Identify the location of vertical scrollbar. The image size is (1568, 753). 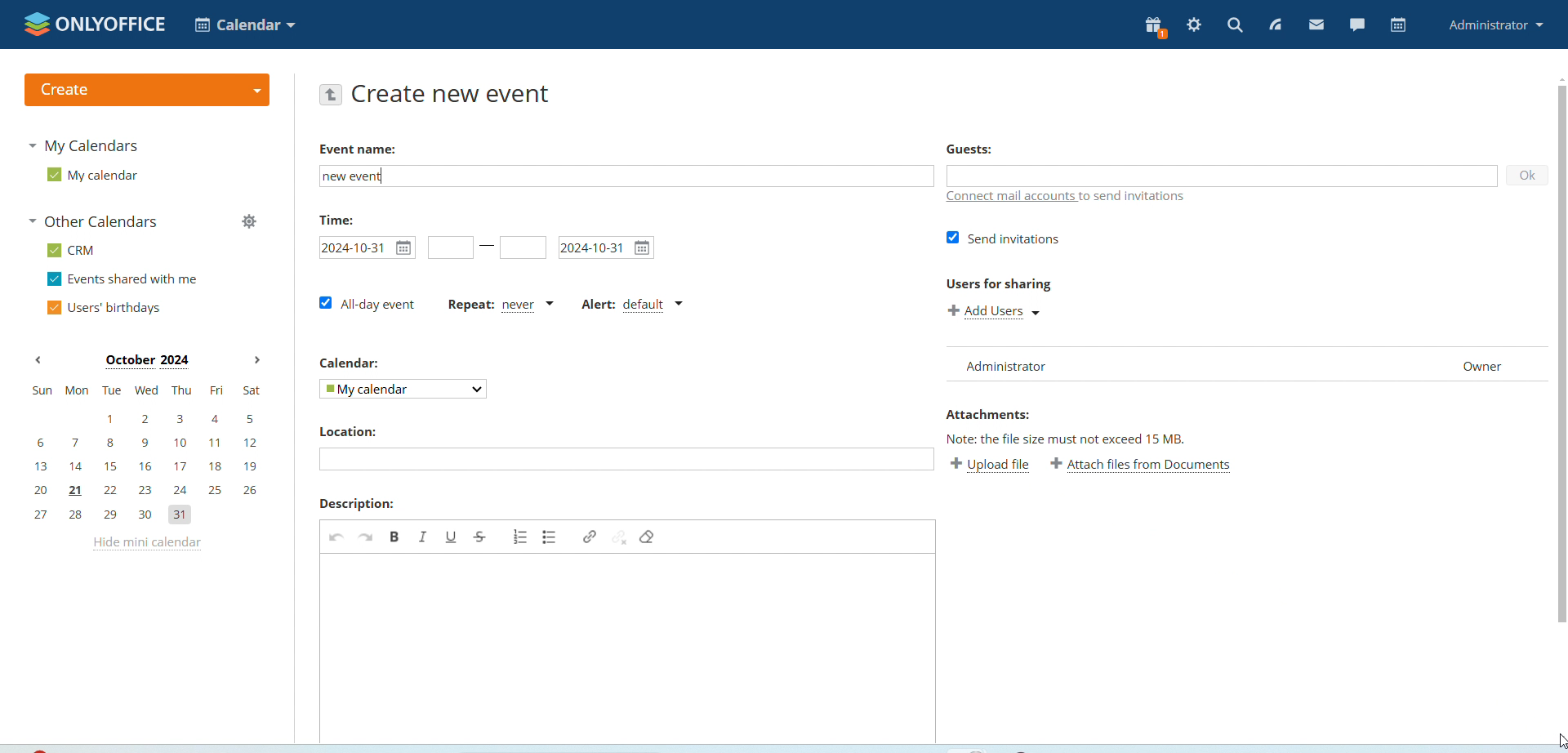
(1562, 354).